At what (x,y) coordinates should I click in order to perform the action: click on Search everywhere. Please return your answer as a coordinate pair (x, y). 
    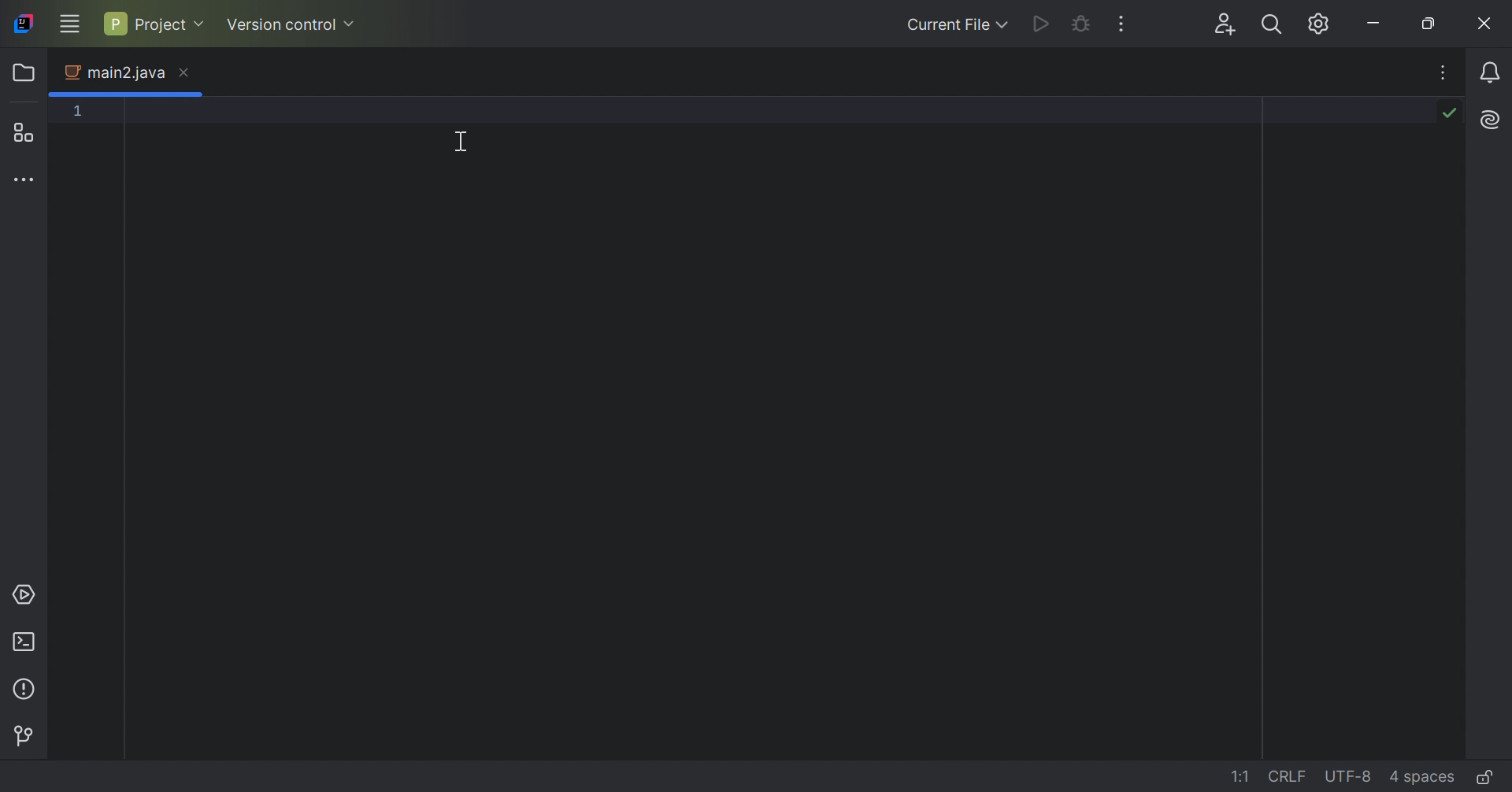
    Looking at the image, I should click on (1274, 27).